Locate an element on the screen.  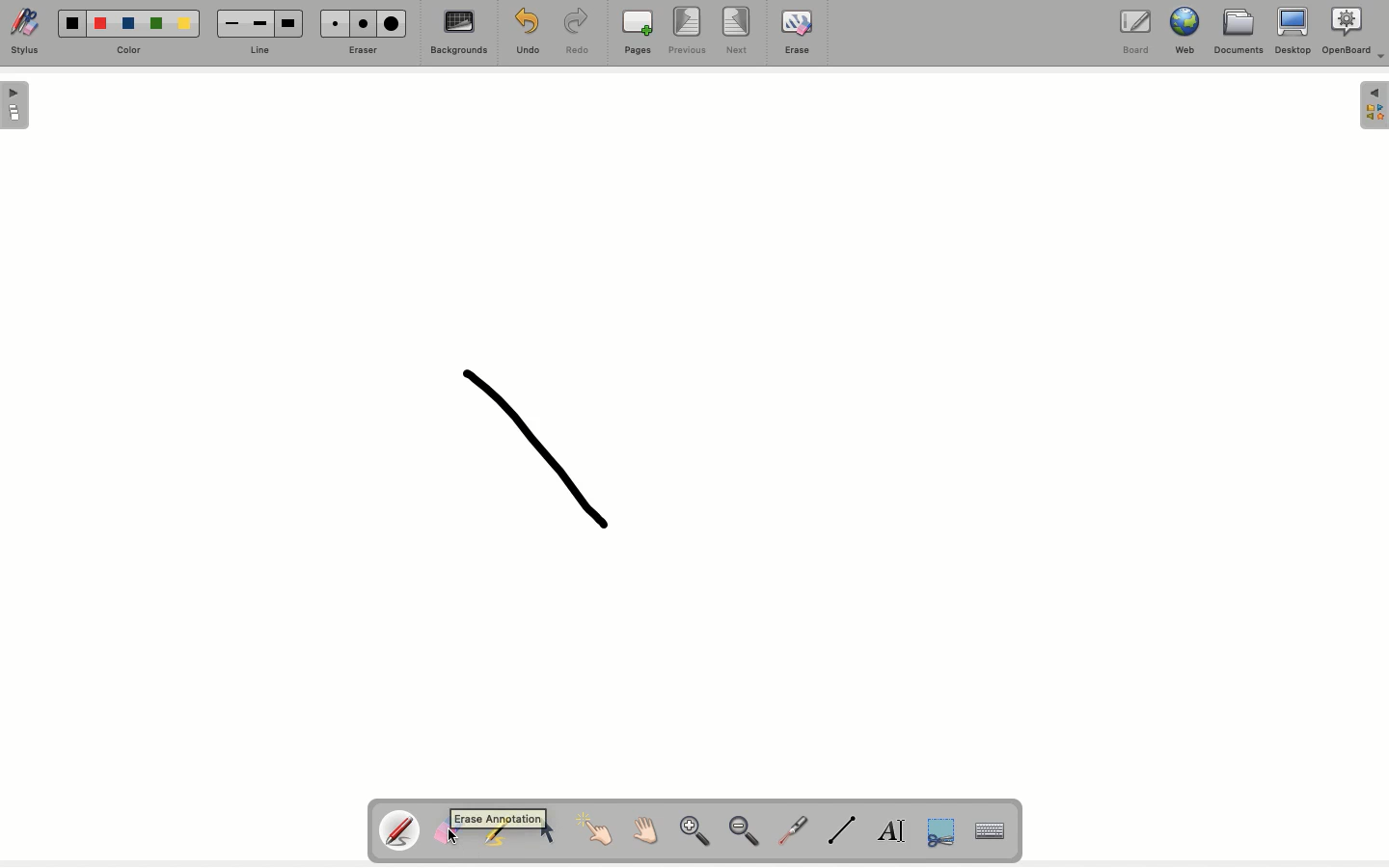
Shape draw is located at coordinates (543, 456).